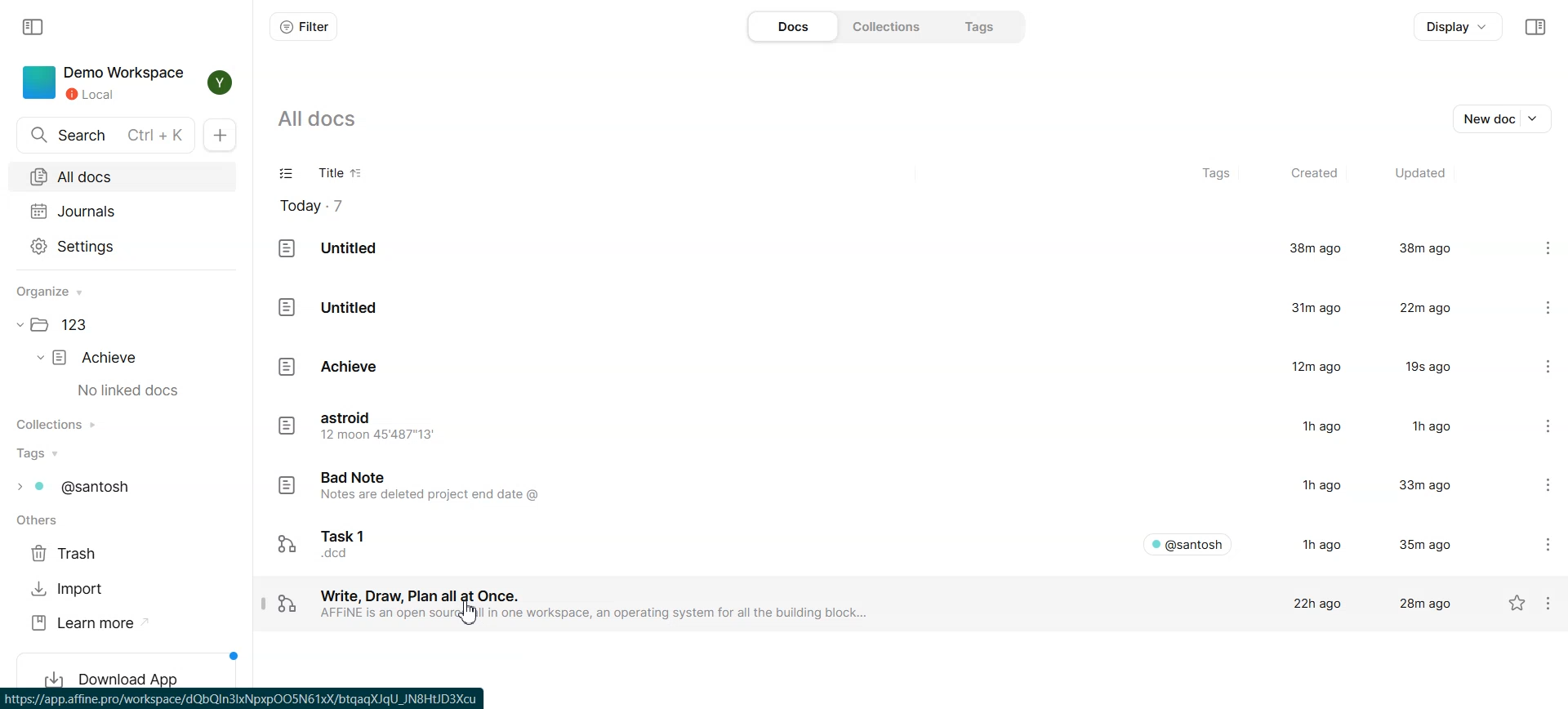 The width and height of the screenshot is (1568, 709). Describe the element at coordinates (1312, 174) in the screenshot. I see `Created` at that location.